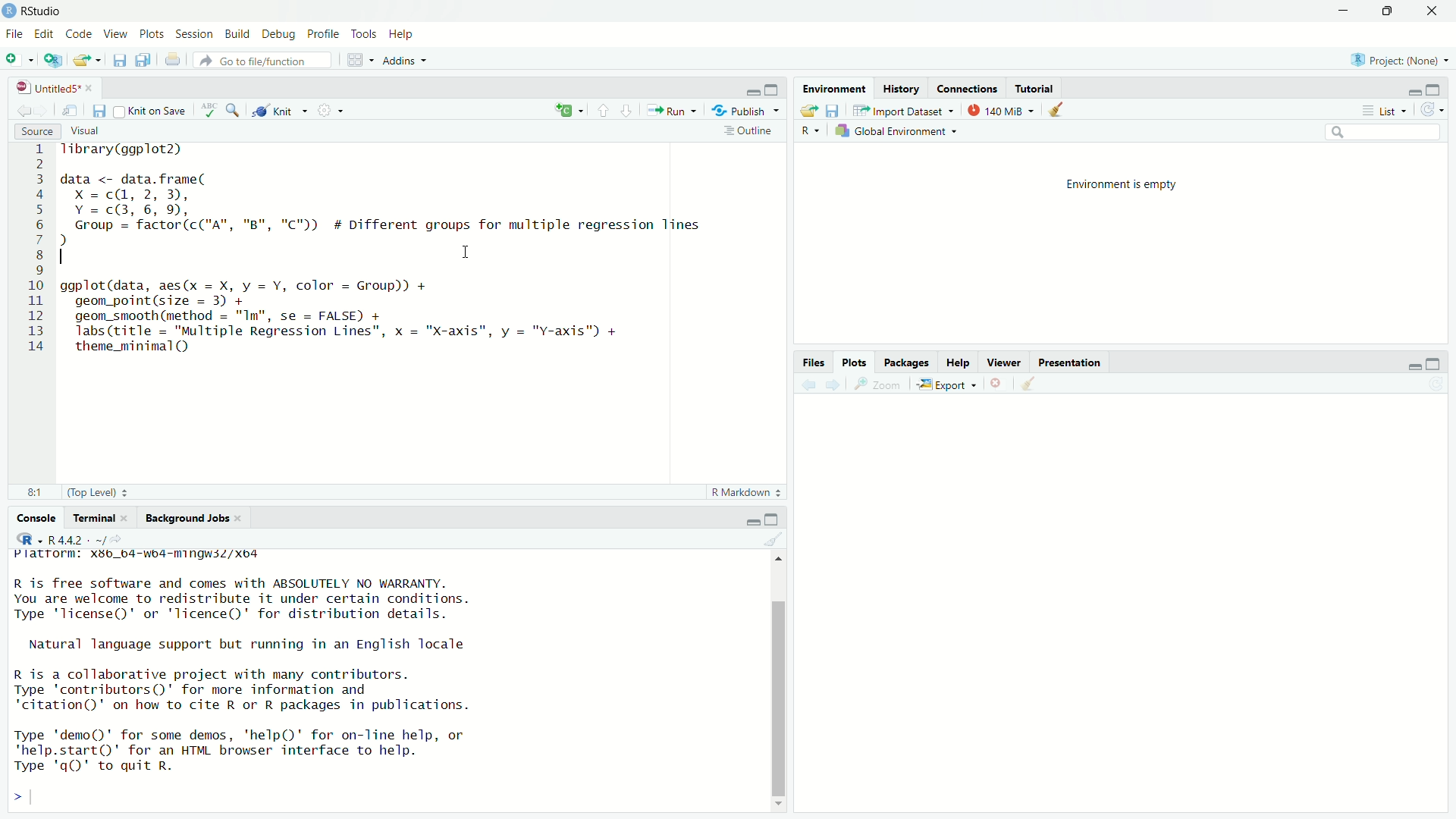 This screenshot has width=1456, height=819. I want to click on Knit on Save, so click(152, 111).